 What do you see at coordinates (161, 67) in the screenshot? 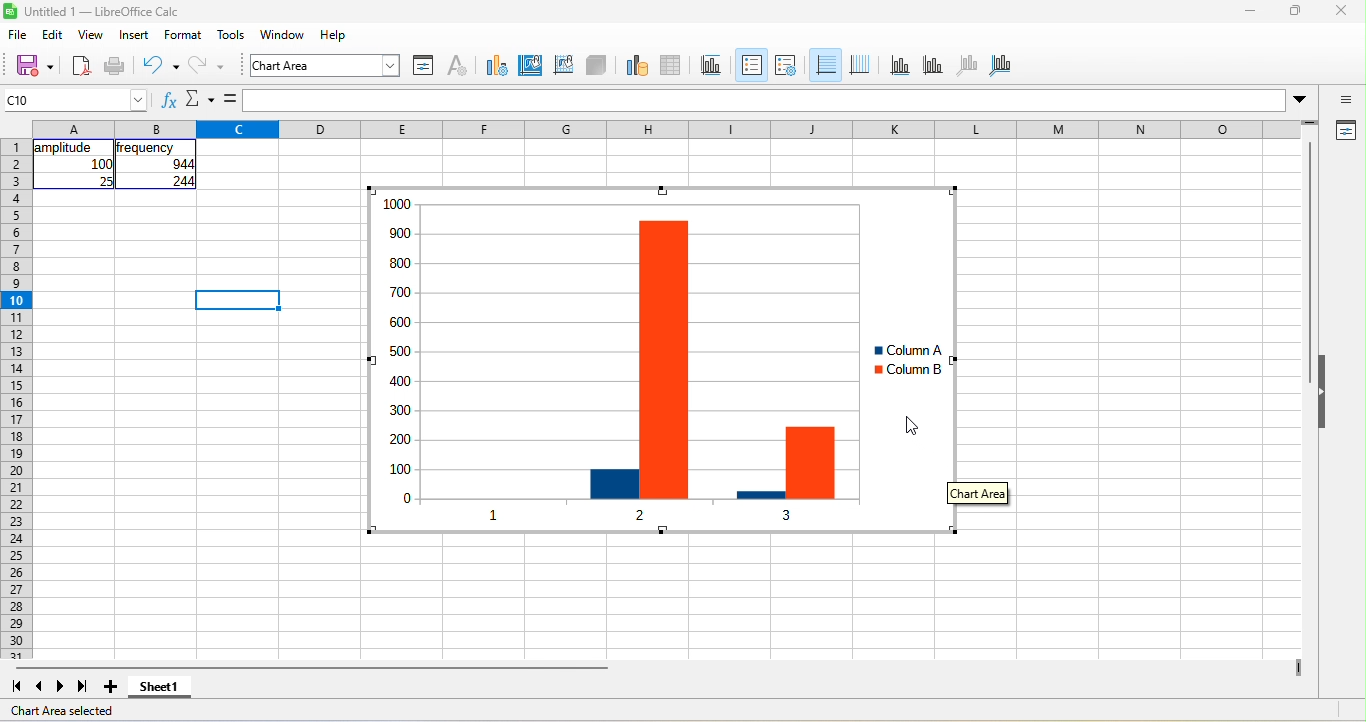
I see `undo` at bounding box center [161, 67].